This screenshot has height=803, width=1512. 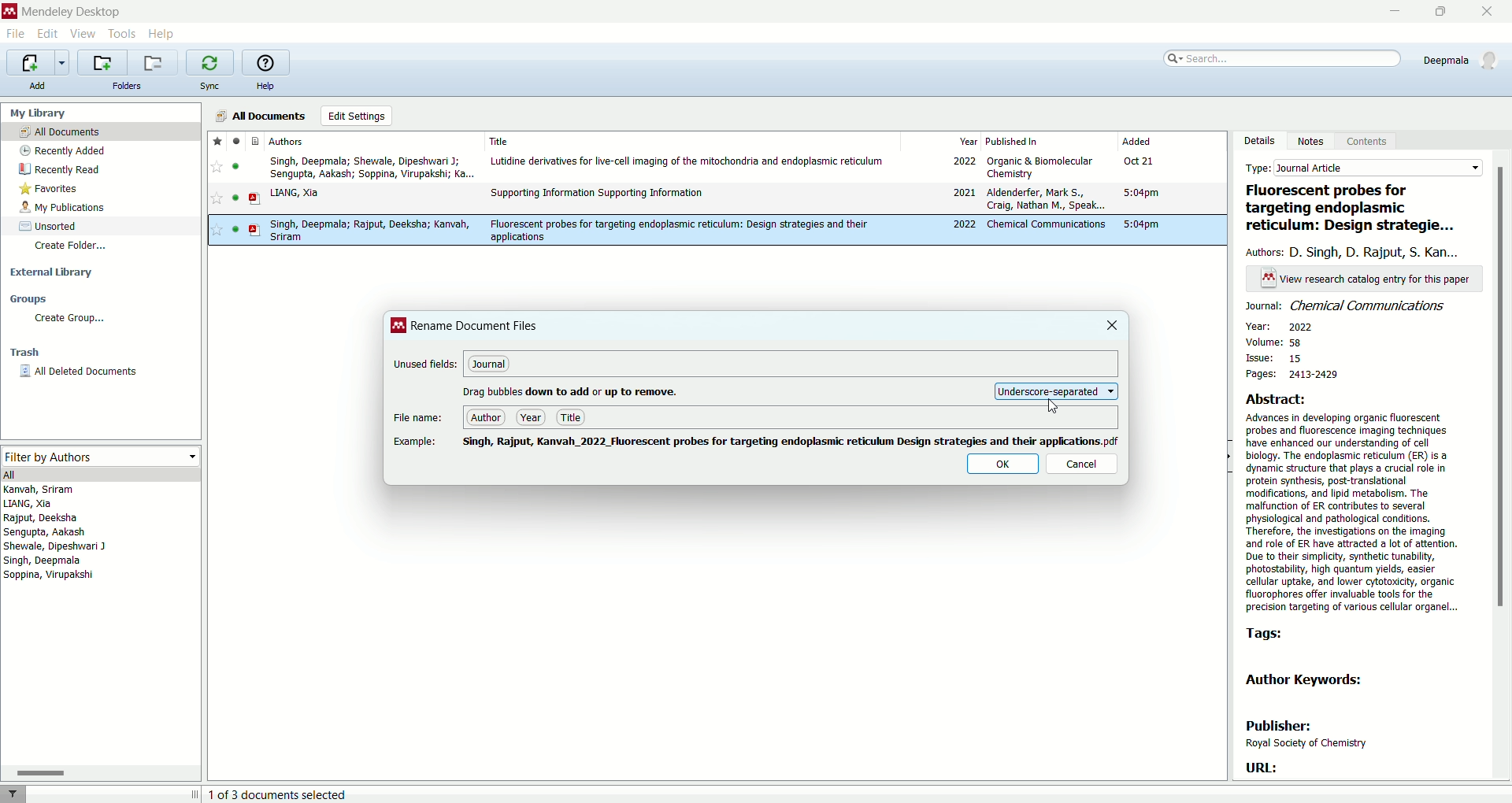 What do you see at coordinates (280, 794) in the screenshot?
I see `number of document selected` at bounding box center [280, 794].